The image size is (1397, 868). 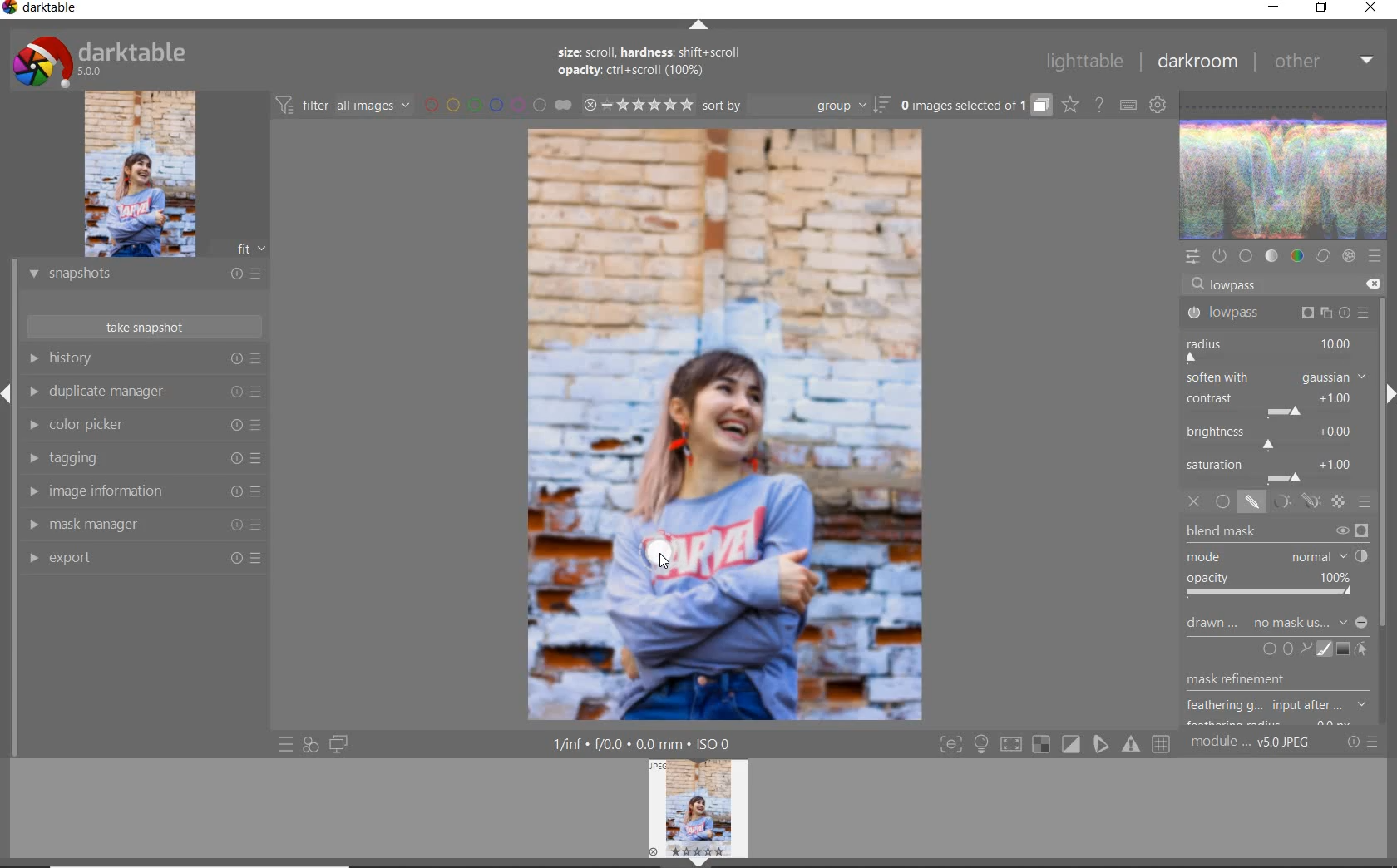 I want to click on brush, so click(x=659, y=550).